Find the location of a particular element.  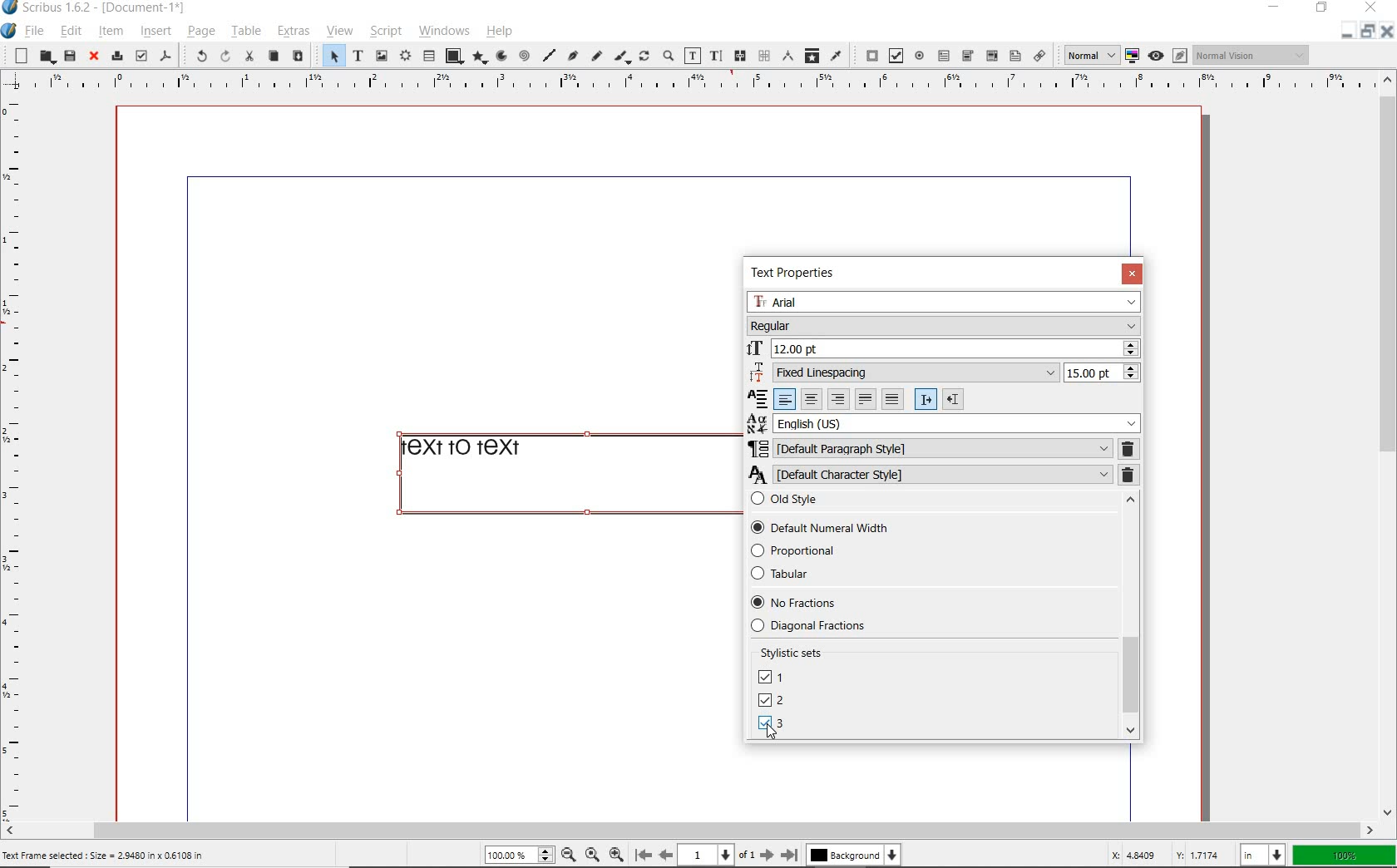

REMOVE is located at coordinates (1129, 462).